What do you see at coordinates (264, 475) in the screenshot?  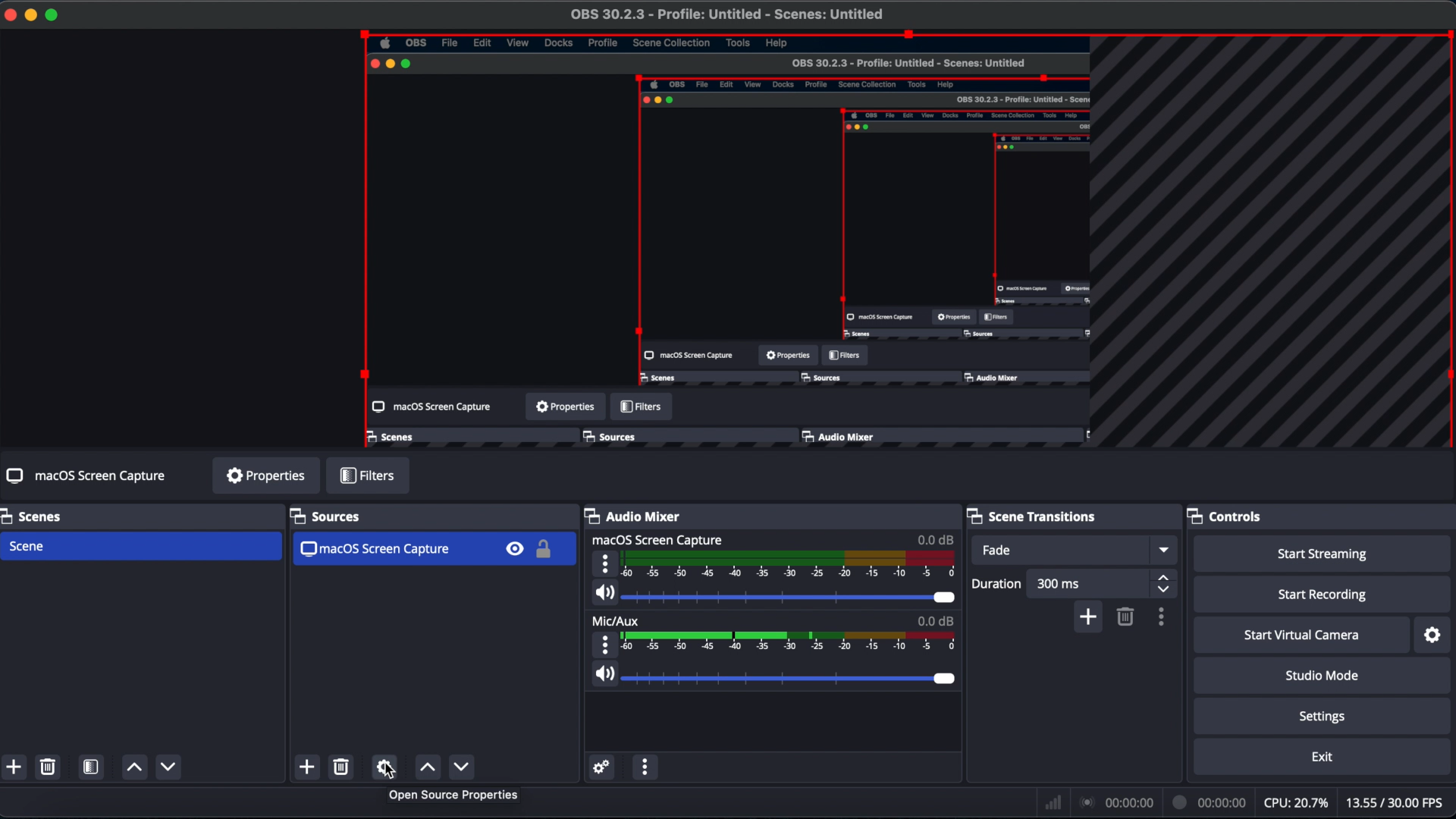 I see `properties` at bounding box center [264, 475].